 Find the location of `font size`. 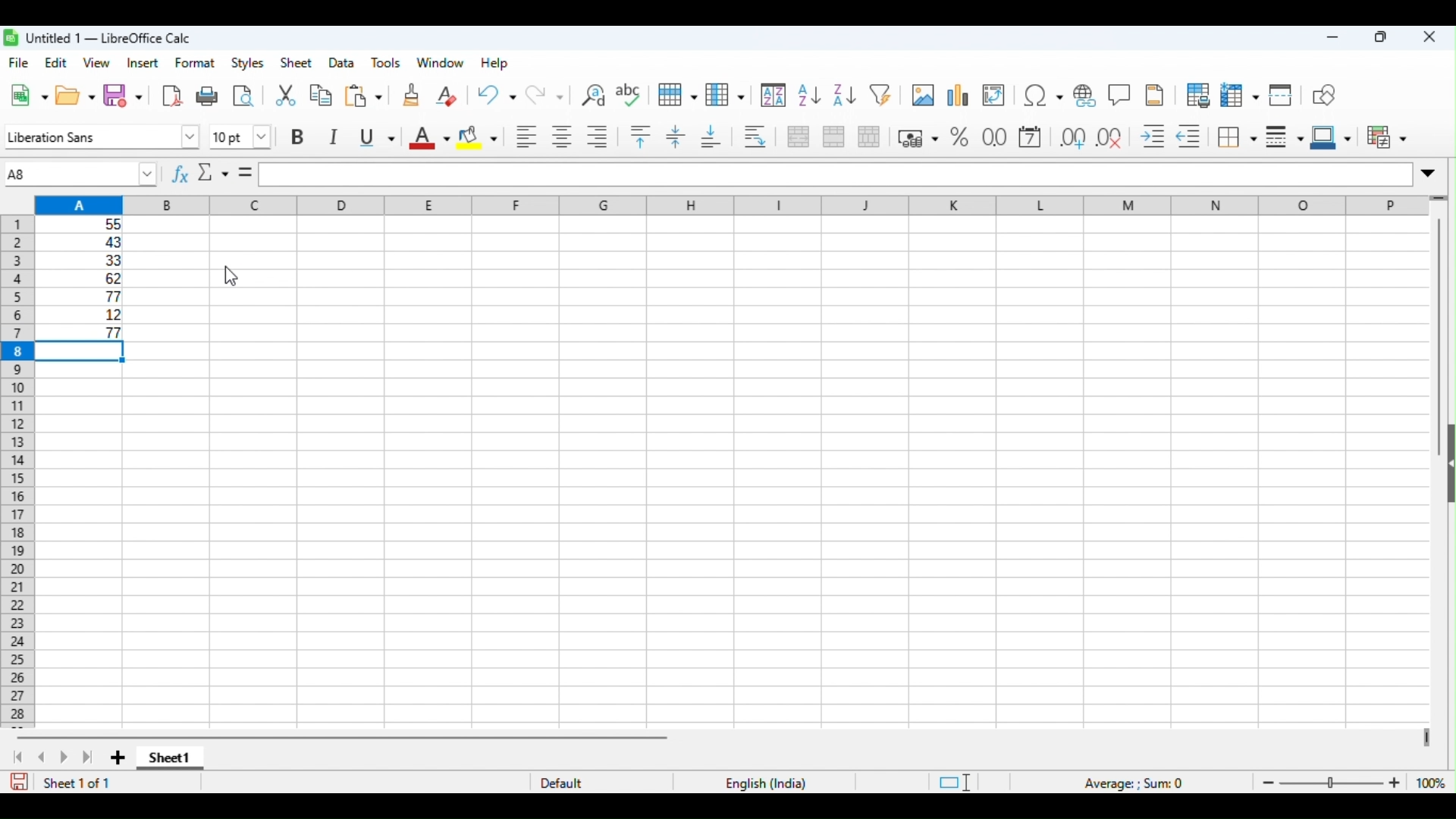

font size is located at coordinates (244, 134).